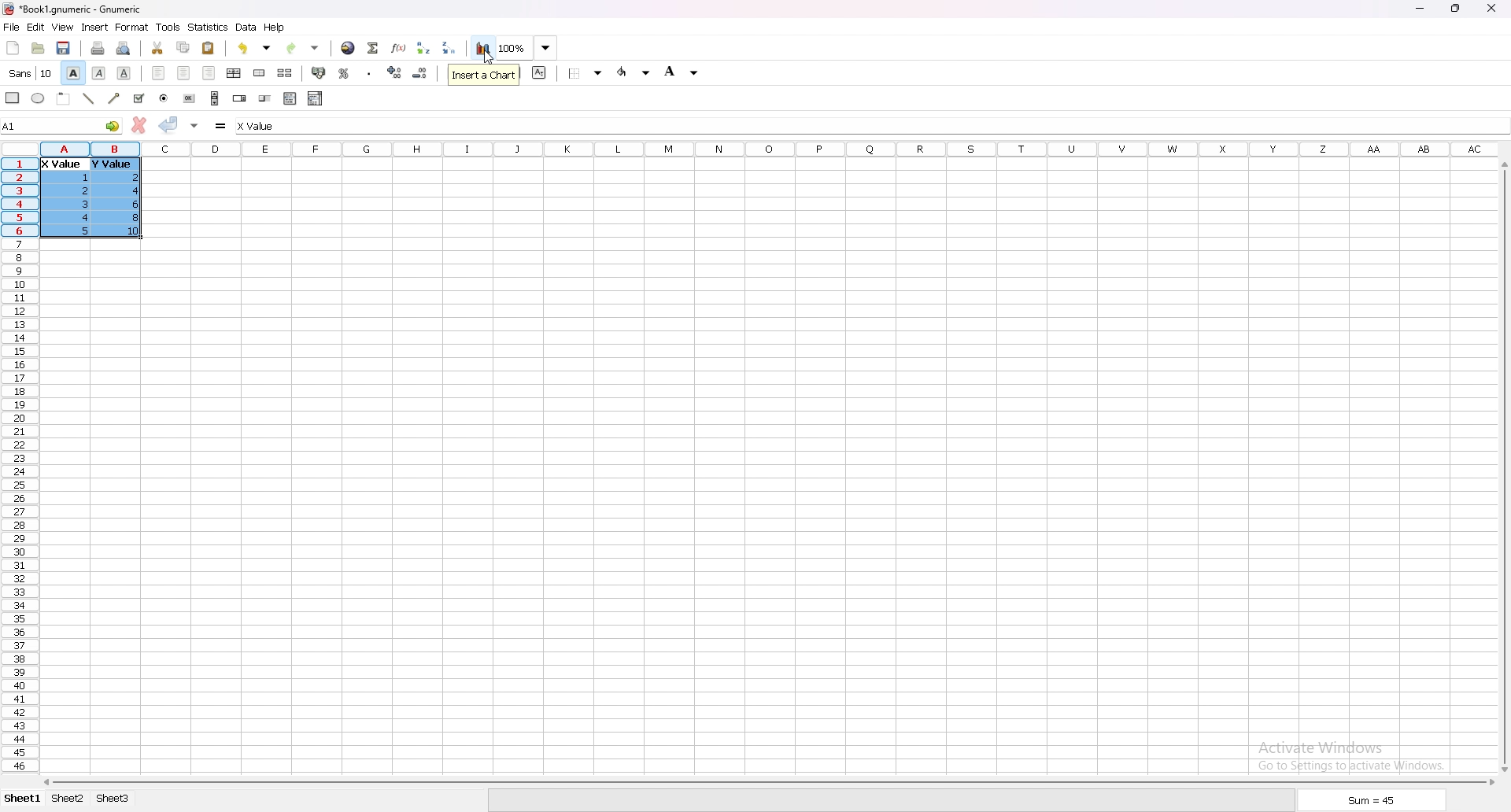 This screenshot has height=812, width=1511. I want to click on copy, so click(183, 47).